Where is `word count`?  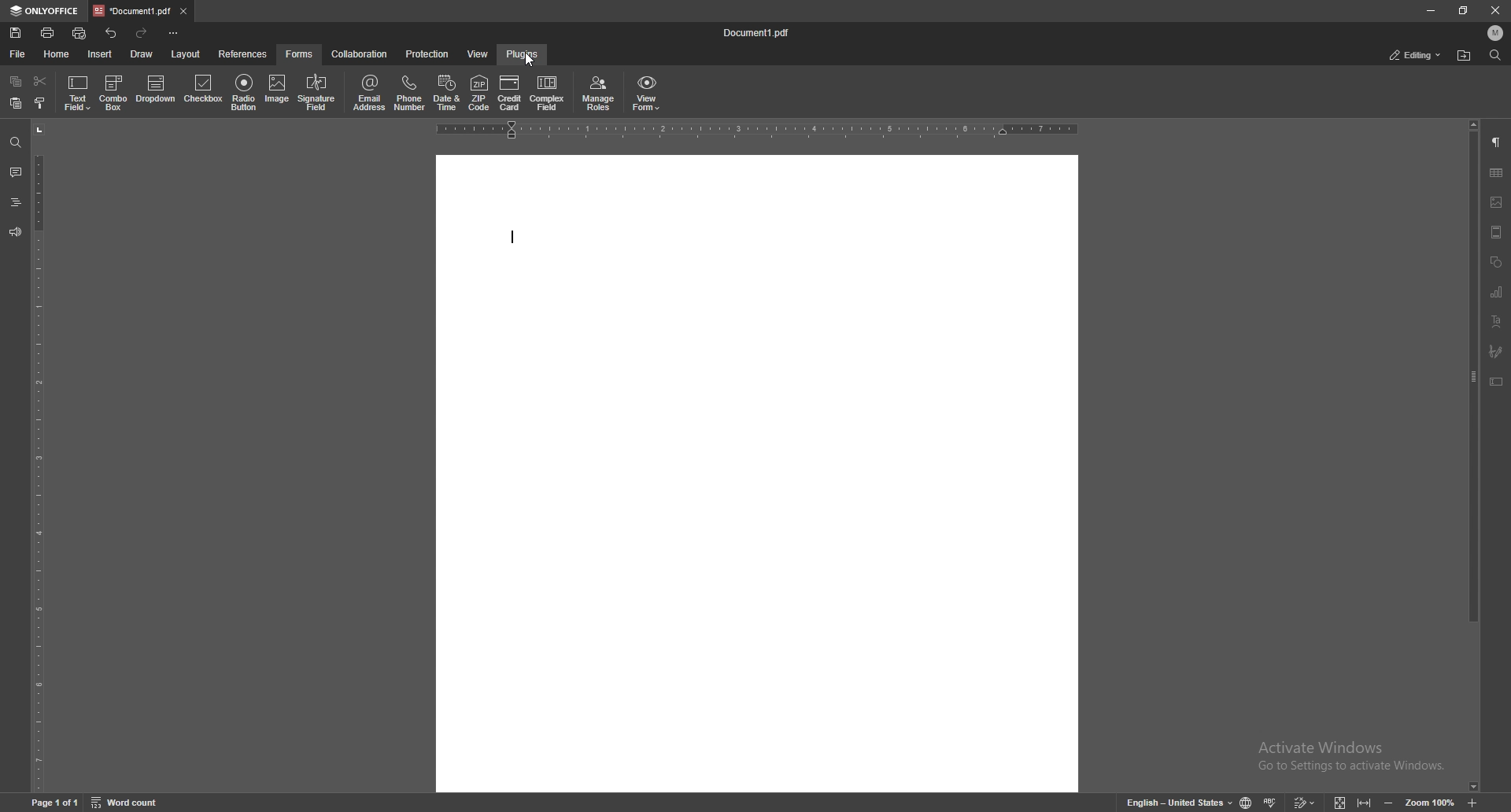
word count is located at coordinates (124, 802).